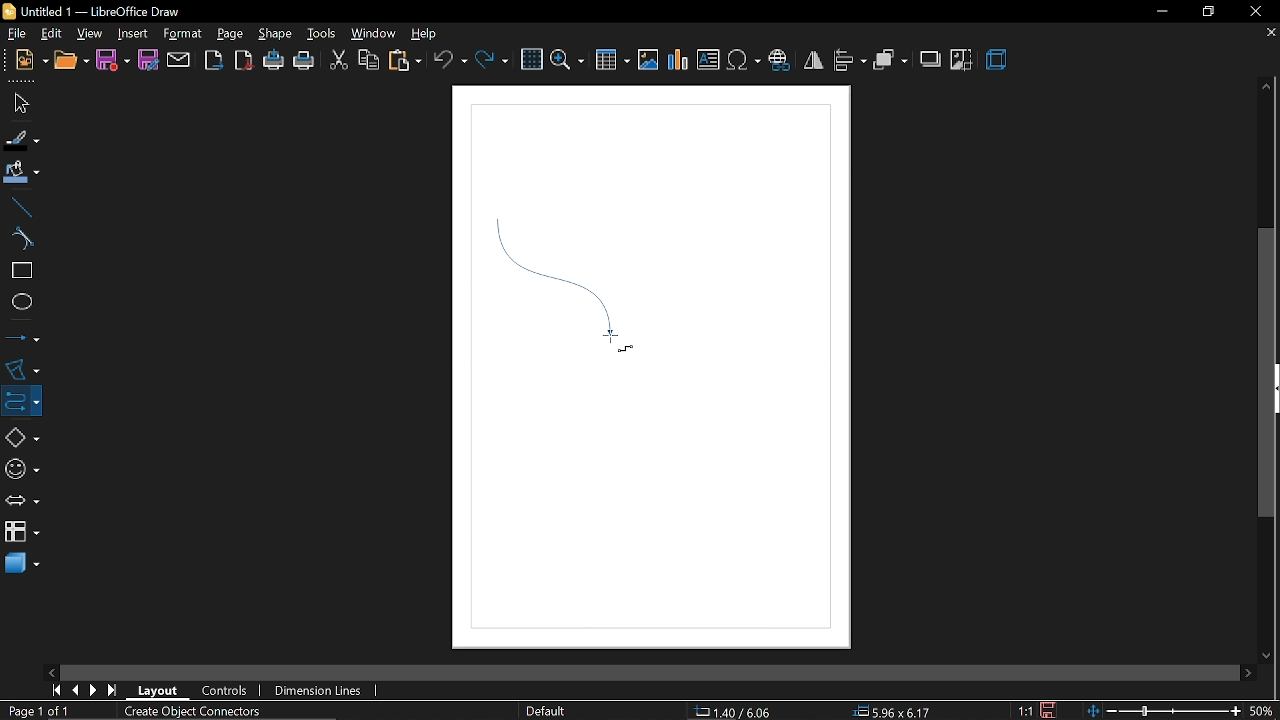  Describe the element at coordinates (337, 62) in the screenshot. I see `cut ` at that location.